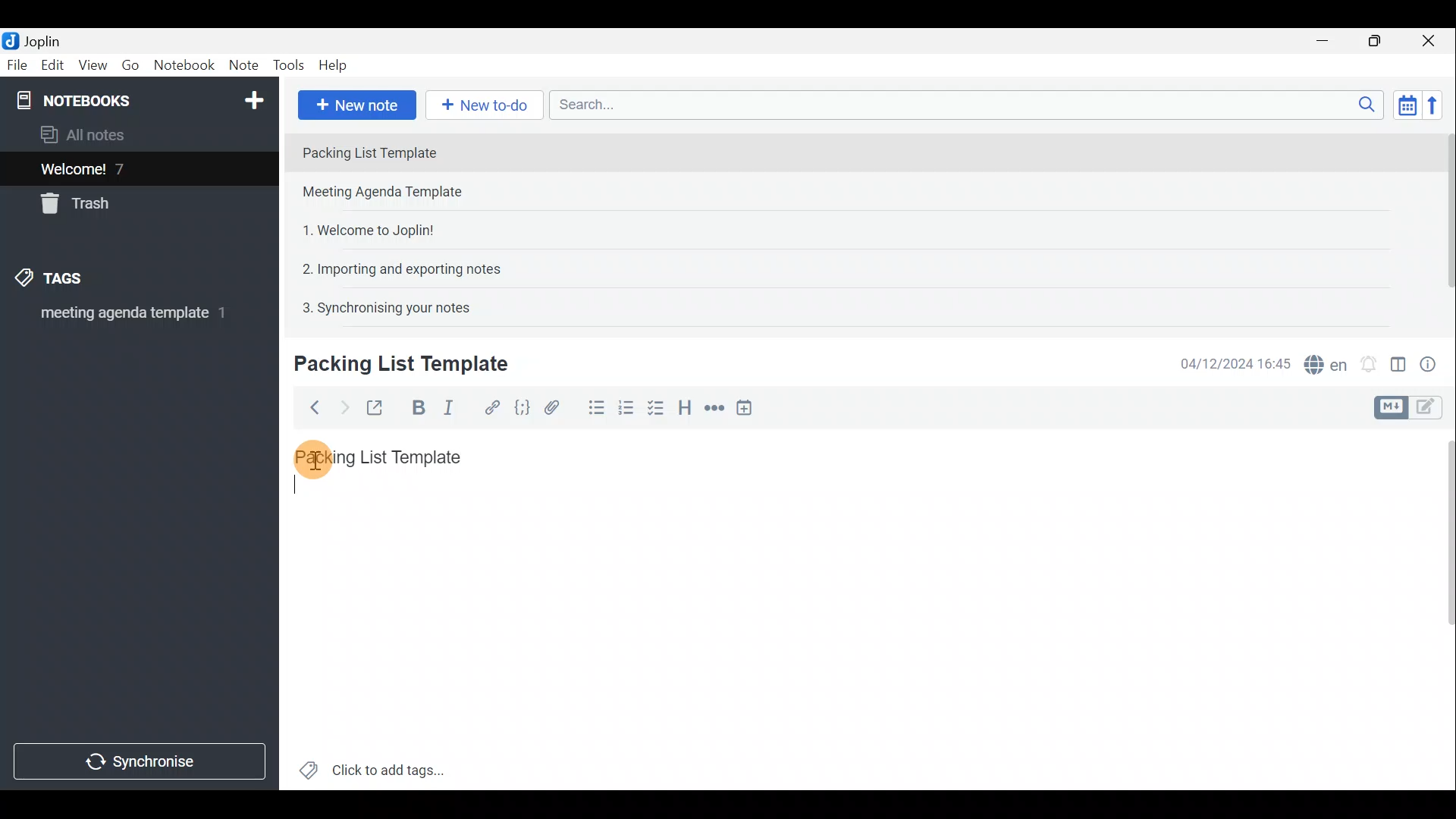  What do you see at coordinates (522, 406) in the screenshot?
I see `Code` at bounding box center [522, 406].